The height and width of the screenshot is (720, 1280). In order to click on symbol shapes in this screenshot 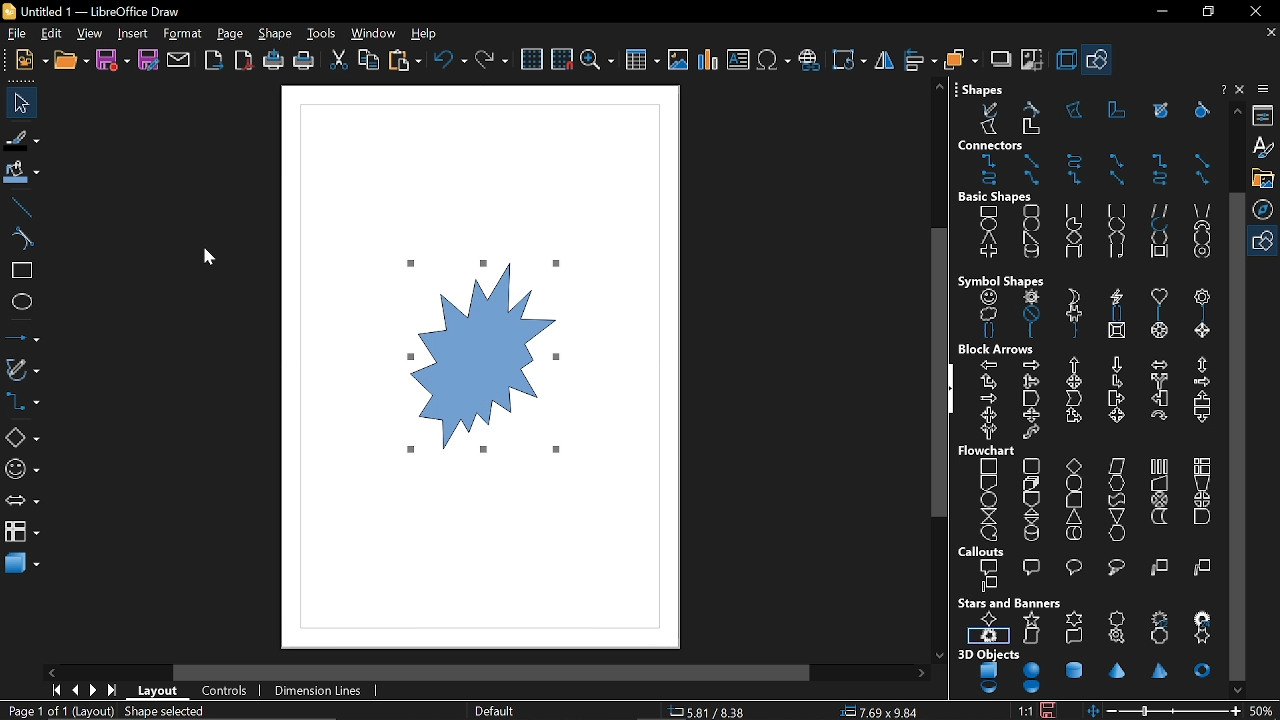, I will do `click(20, 472)`.